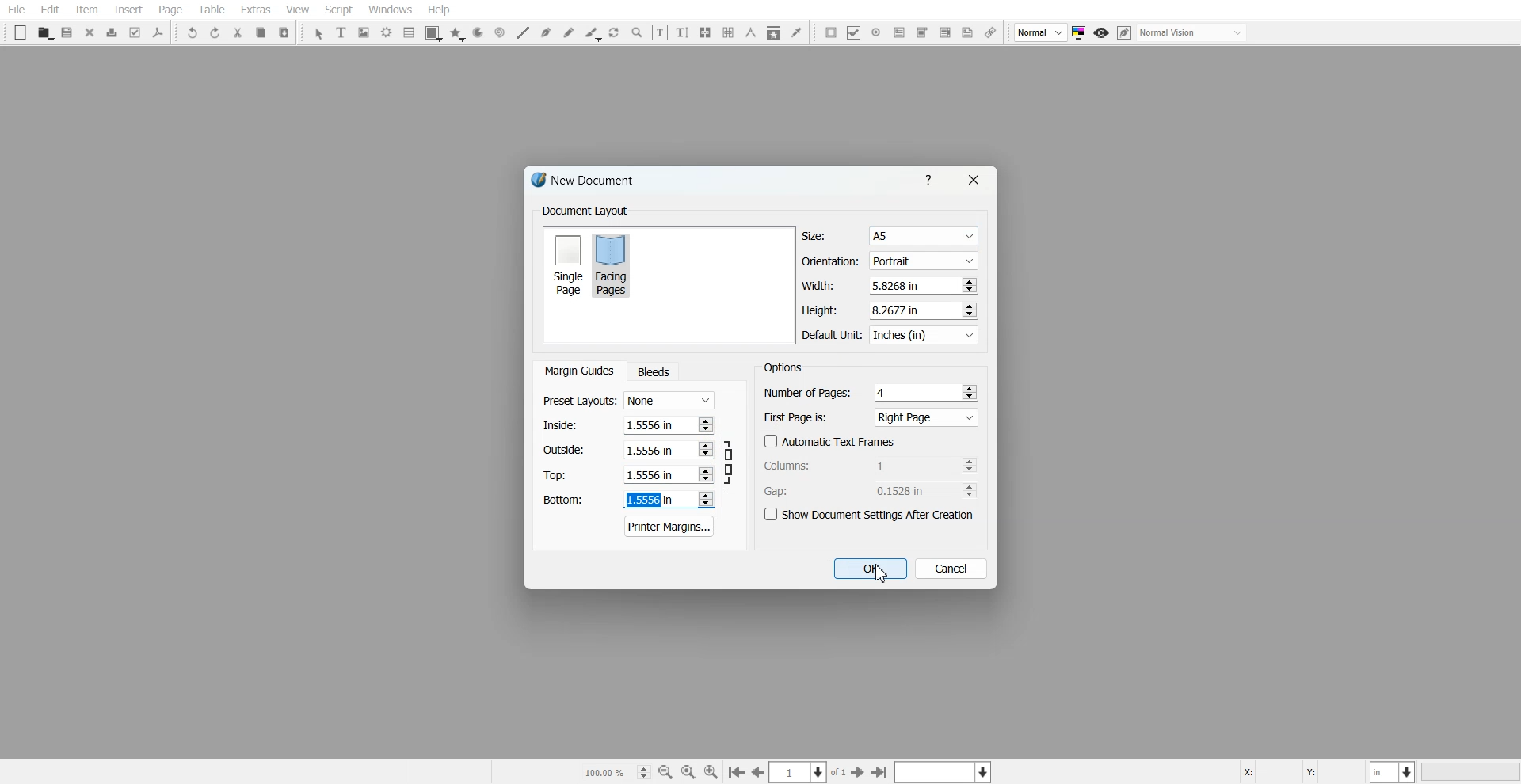 The height and width of the screenshot is (784, 1521). What do you see at coordinates (364, 32) in the screenshot?
I see `Image Frame` at bounding box center [364, 32].